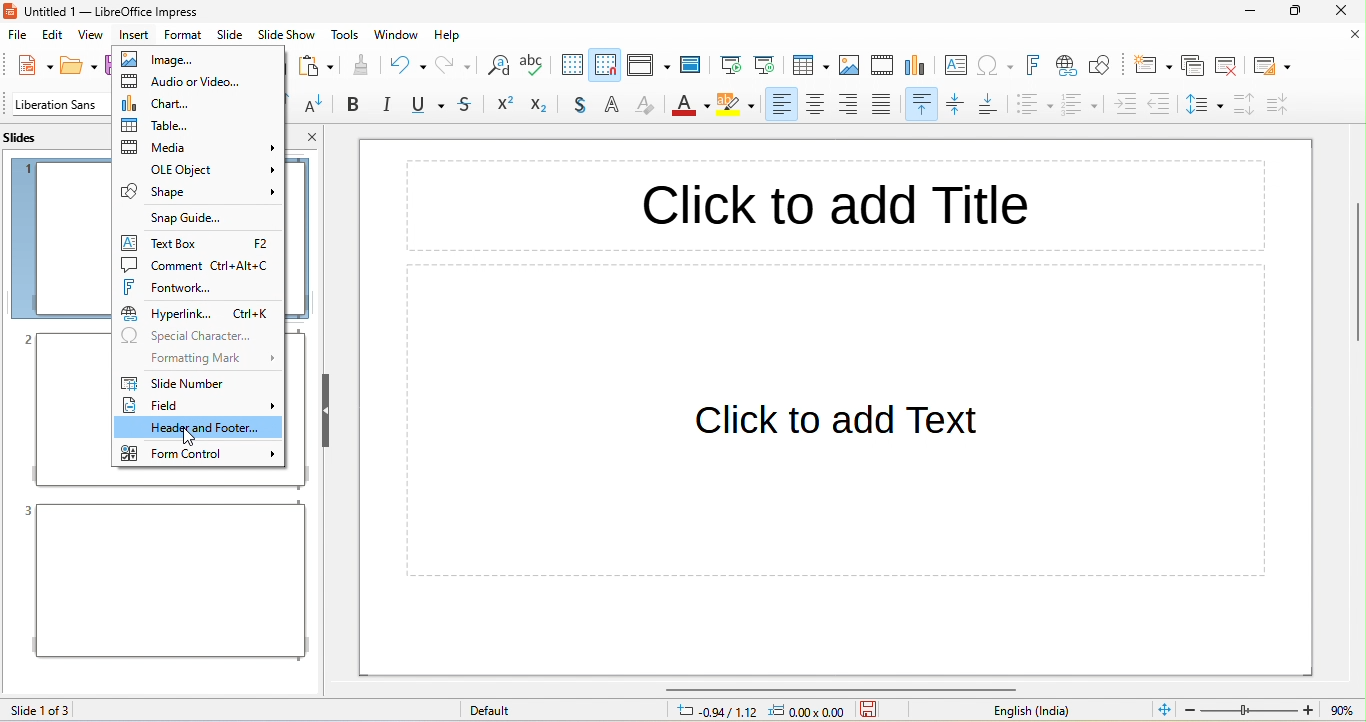  I want to click on new slide, so click(1151, 65).